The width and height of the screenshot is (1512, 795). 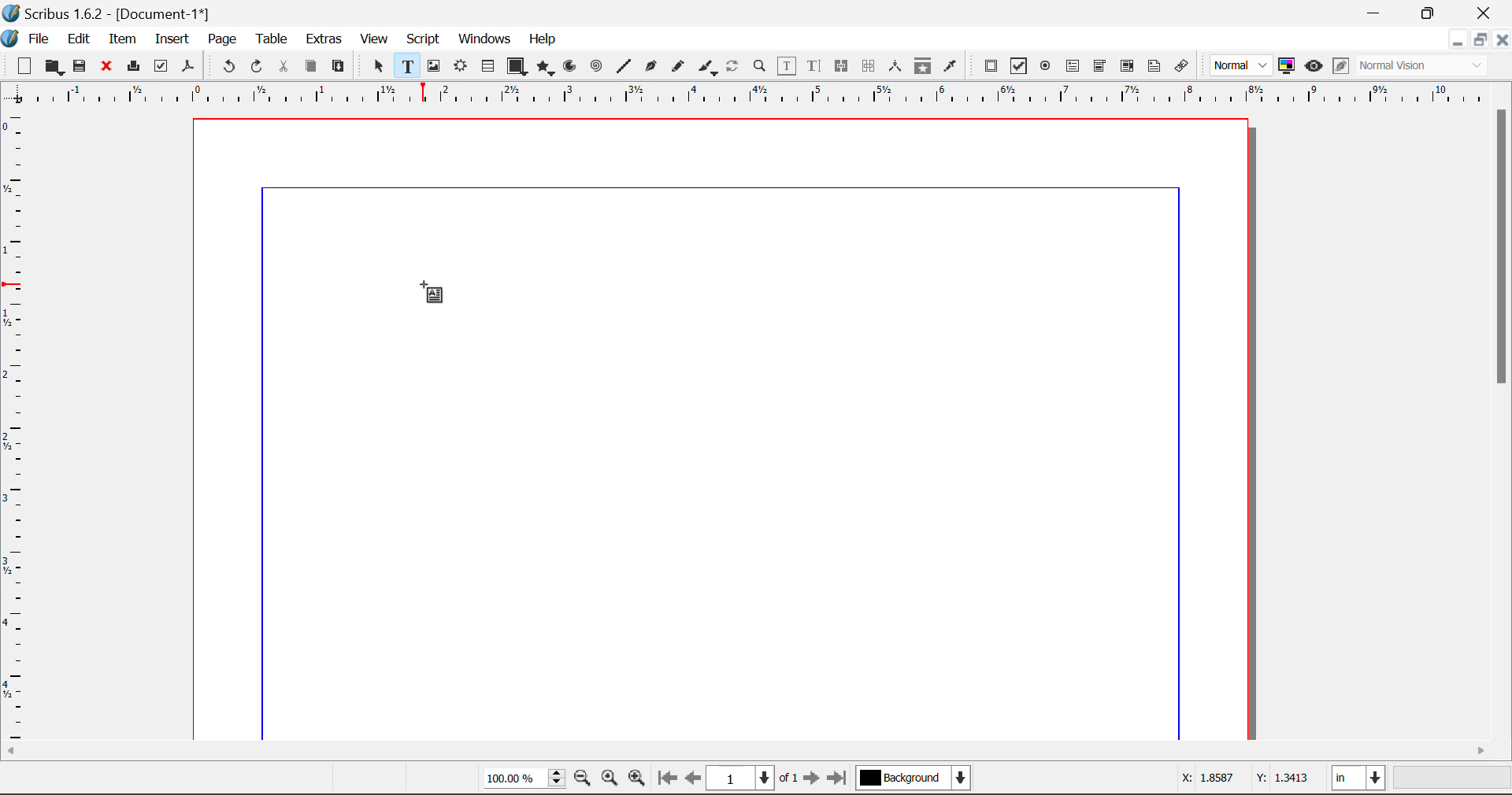 I want to click on Page, so click(x=221, y=39).